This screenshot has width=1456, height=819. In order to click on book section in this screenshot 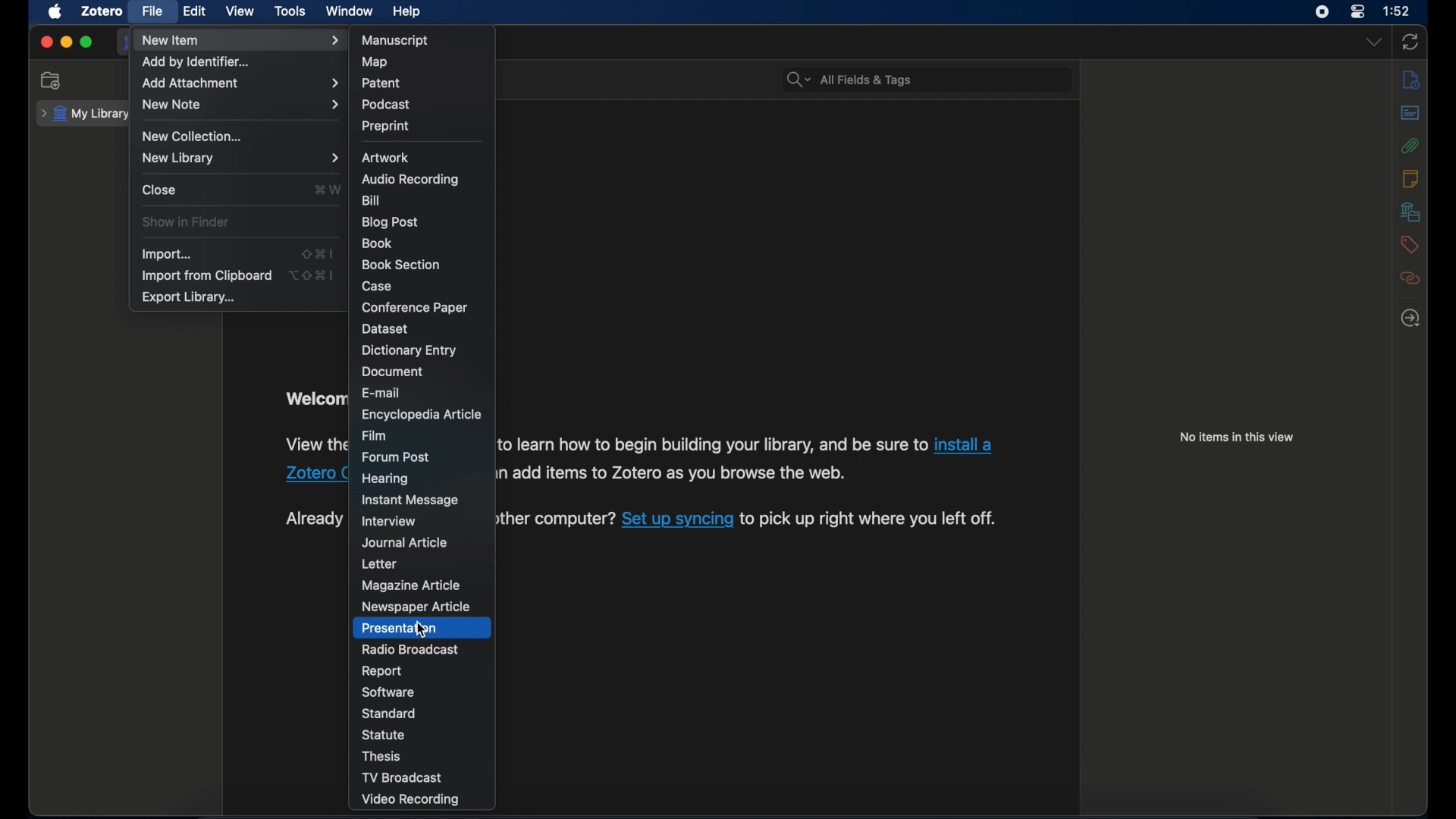, I will do `click(403, 265)`.